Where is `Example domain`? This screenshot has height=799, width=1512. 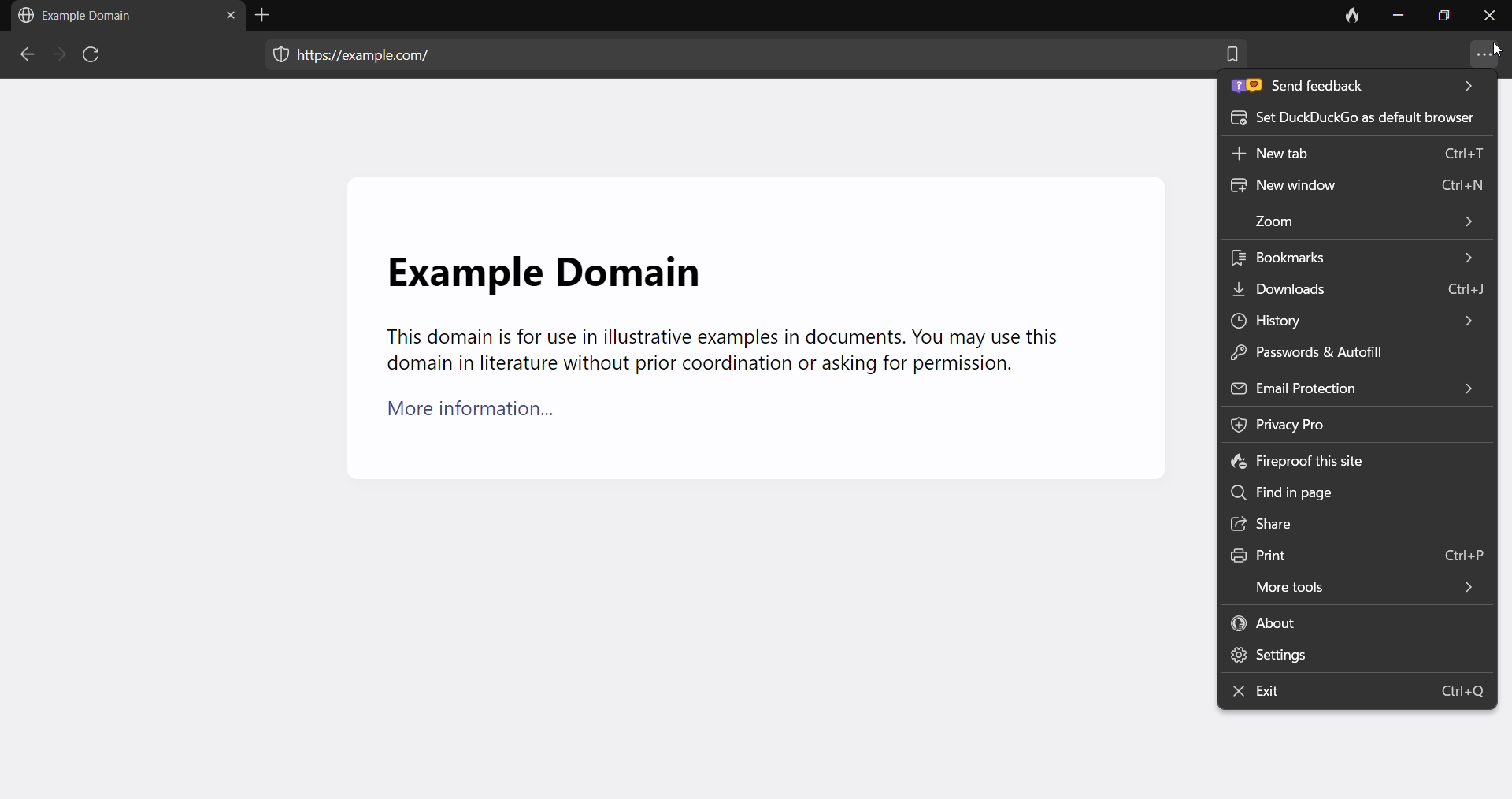 Example domain is located at coordinates (81, 16).